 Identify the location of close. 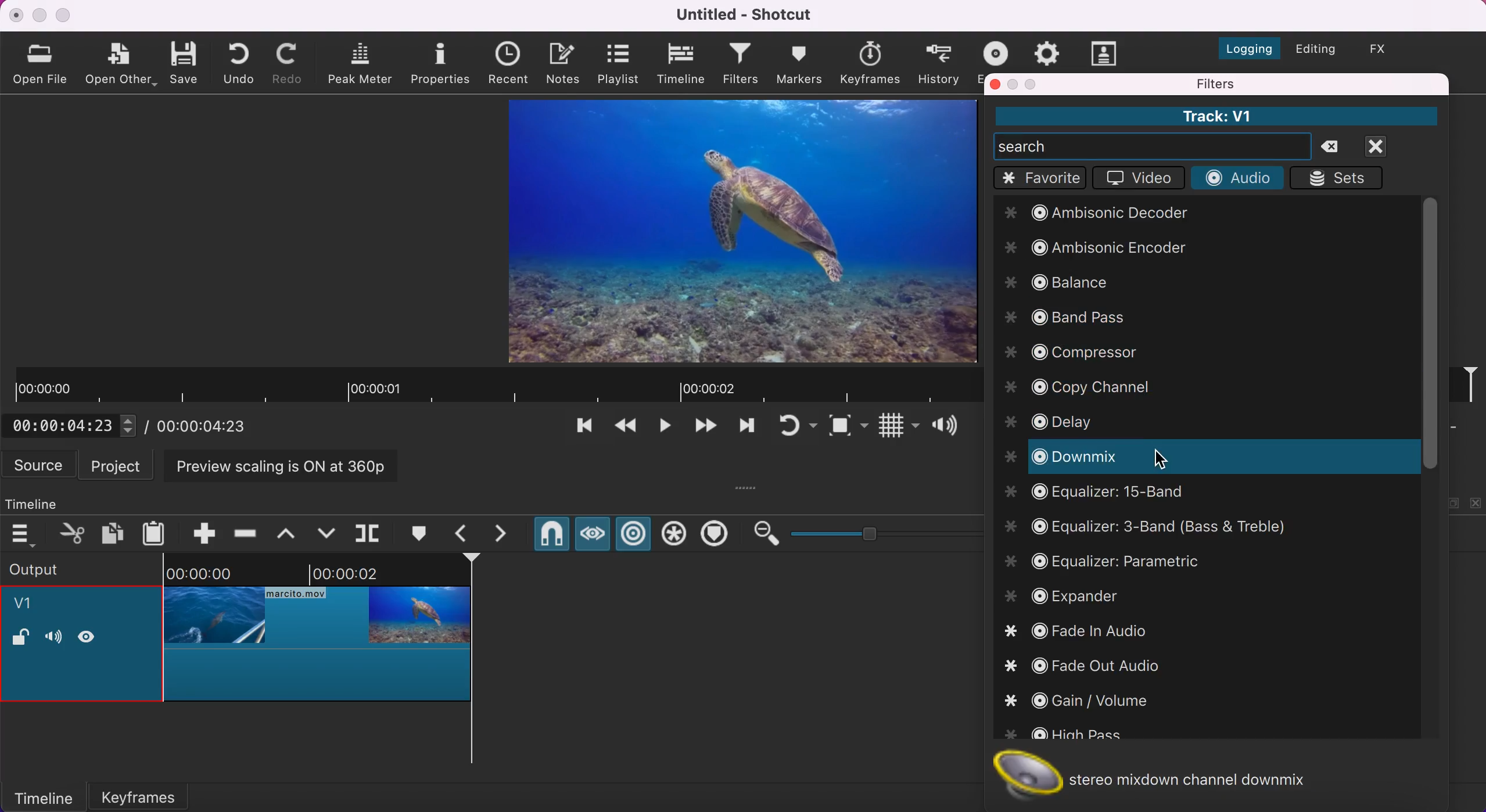
(996, 84).